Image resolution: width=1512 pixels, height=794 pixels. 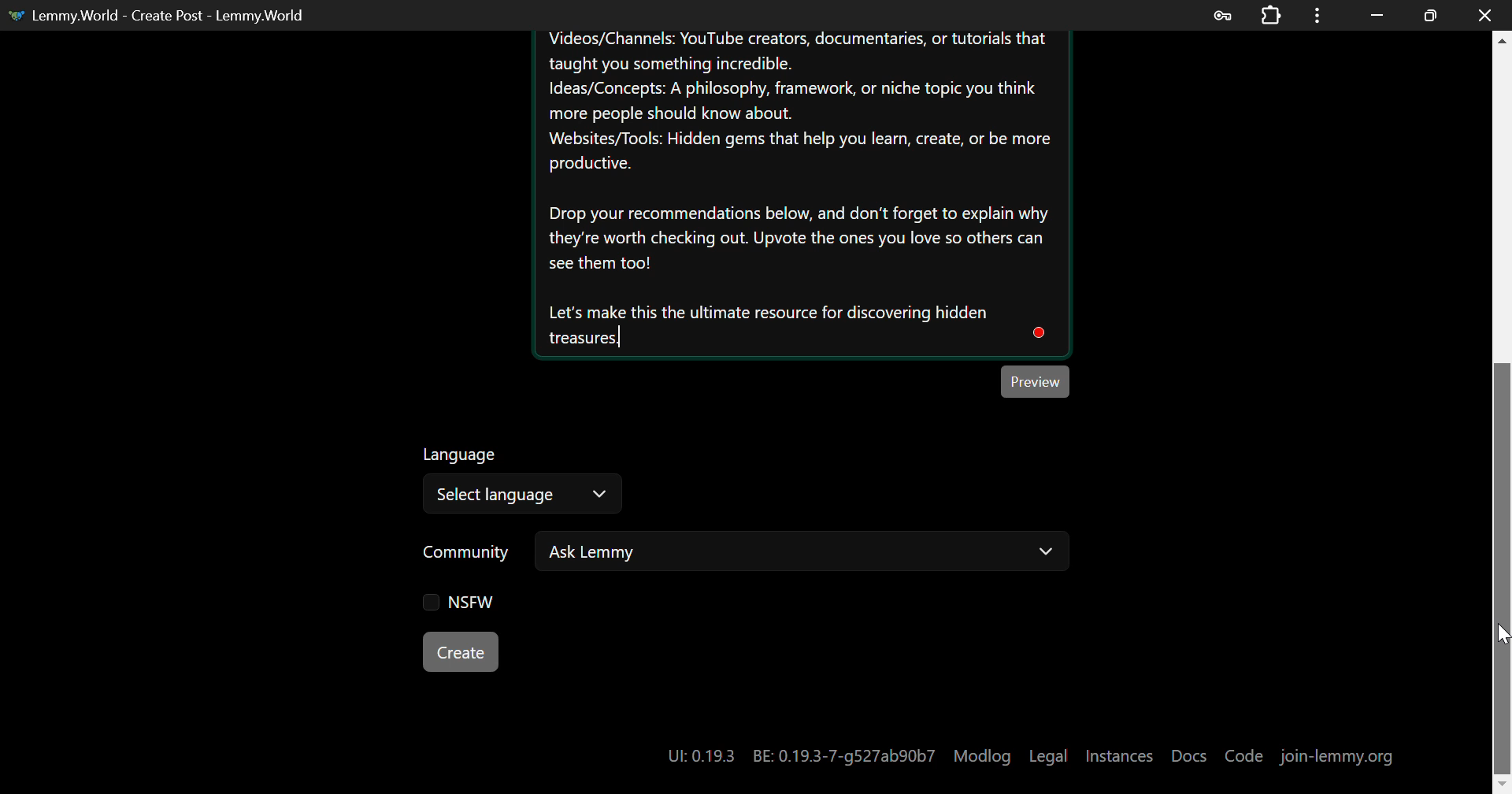 What do you see at coordinates (1244, 756) in the screenshot?
I see `Code` at bounding box center [1244, 756].